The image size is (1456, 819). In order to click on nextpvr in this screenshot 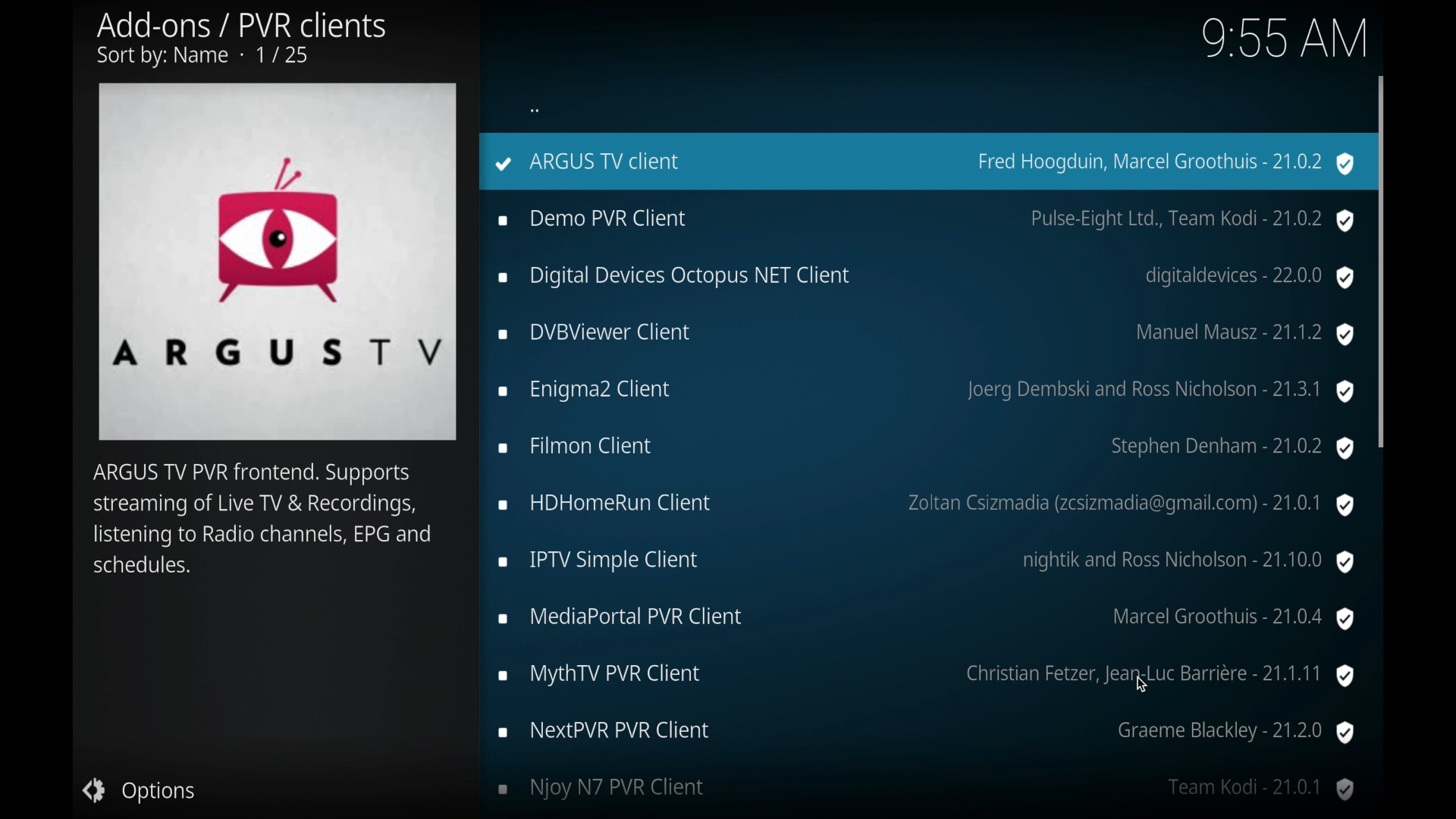, I will do `click(924, 733)`.